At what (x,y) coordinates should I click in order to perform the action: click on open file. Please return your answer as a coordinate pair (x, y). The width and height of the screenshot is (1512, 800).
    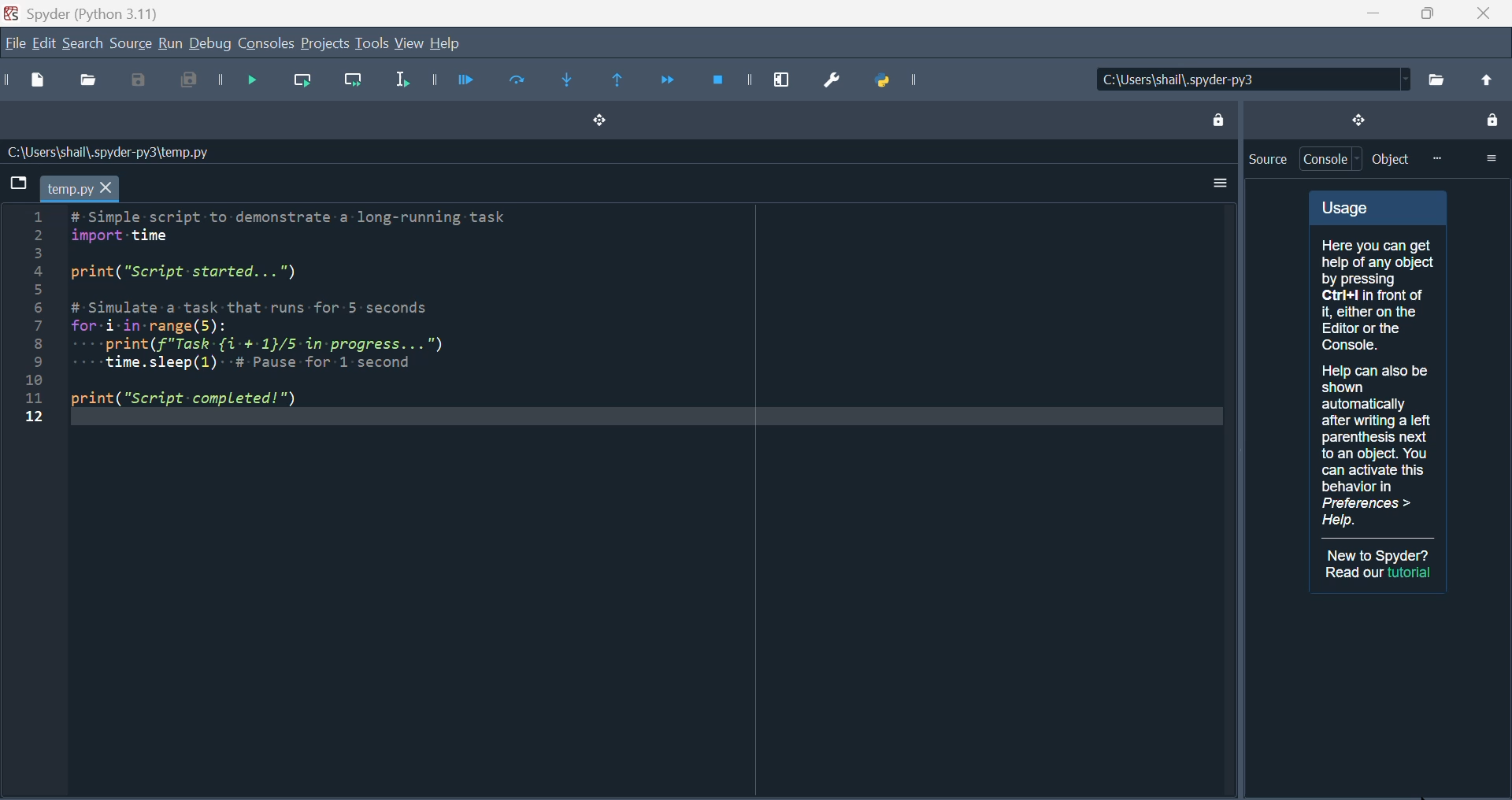
    Looking at the image, I should click on (91, 83).